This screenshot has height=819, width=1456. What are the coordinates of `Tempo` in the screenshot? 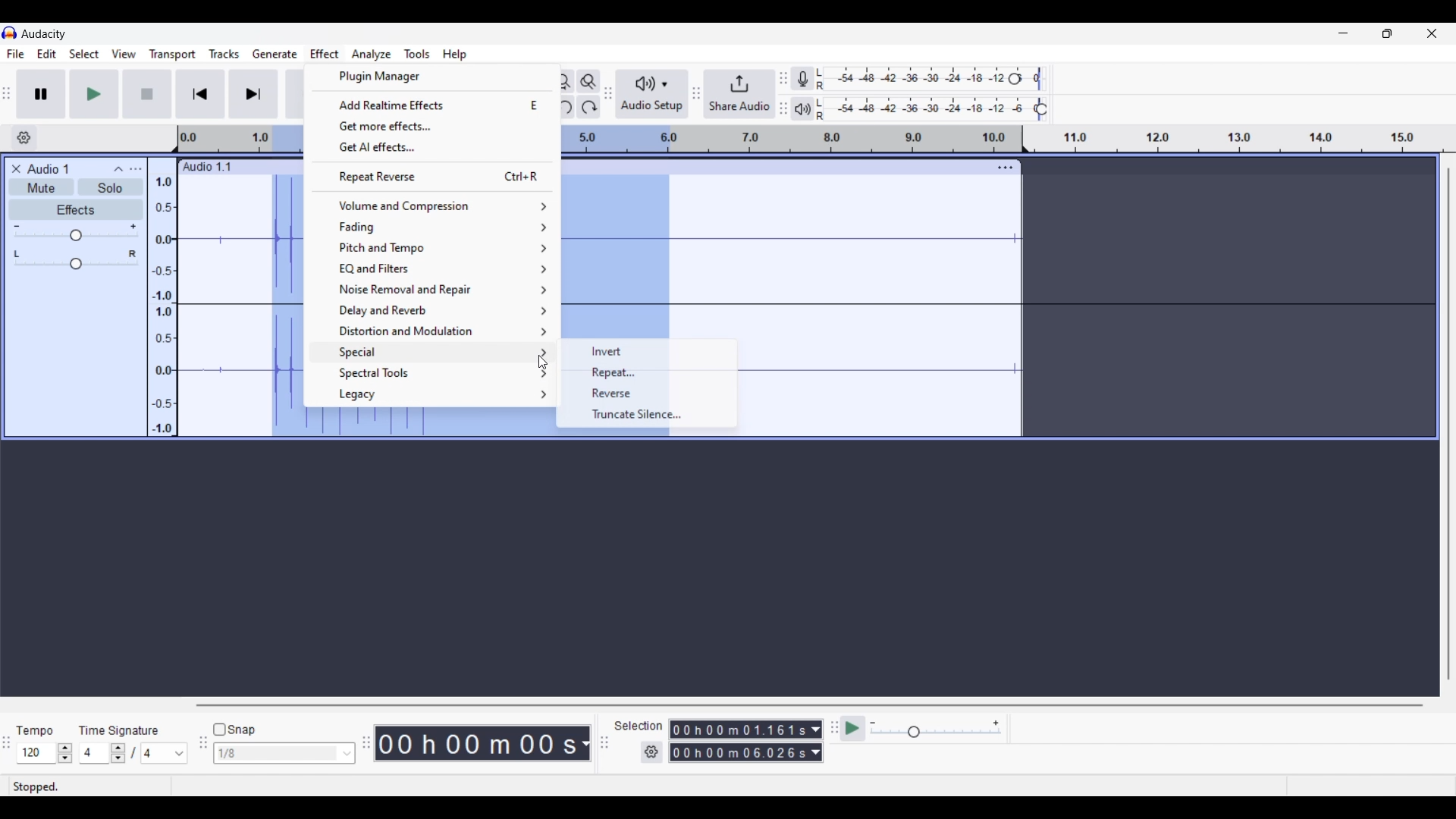 It's located at (34, 730).